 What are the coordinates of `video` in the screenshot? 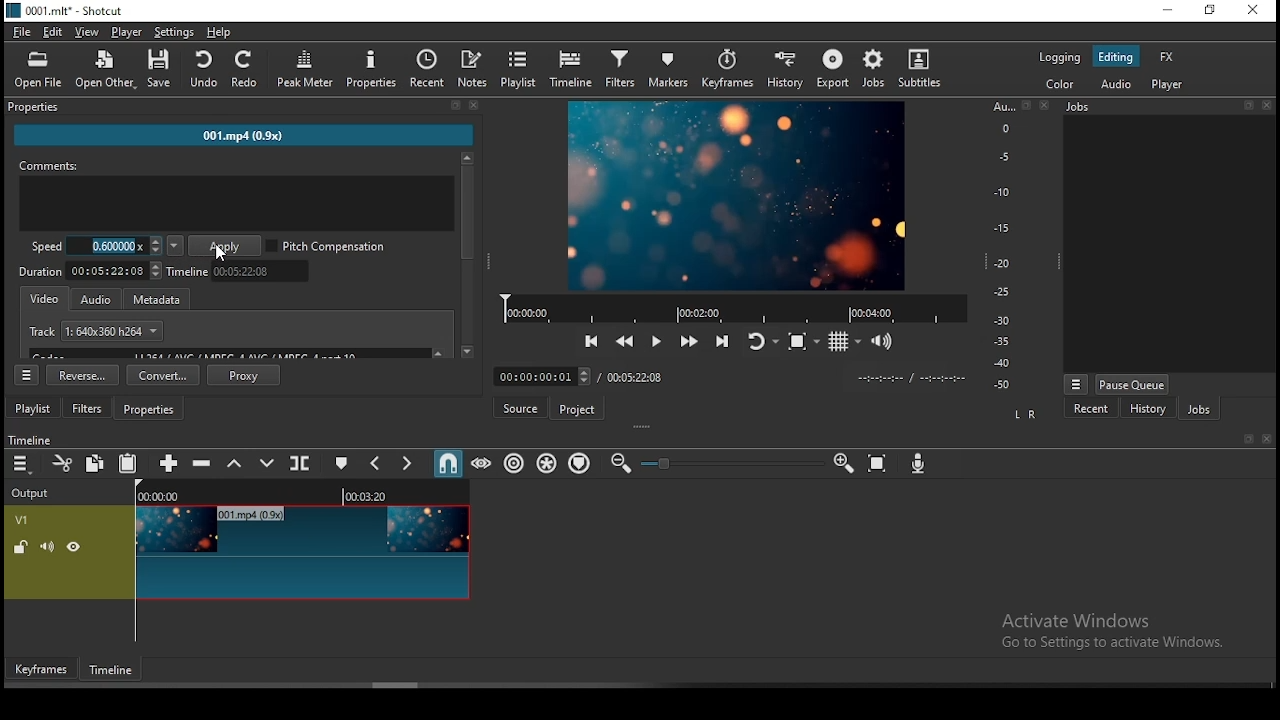 It's located at (44, 298).